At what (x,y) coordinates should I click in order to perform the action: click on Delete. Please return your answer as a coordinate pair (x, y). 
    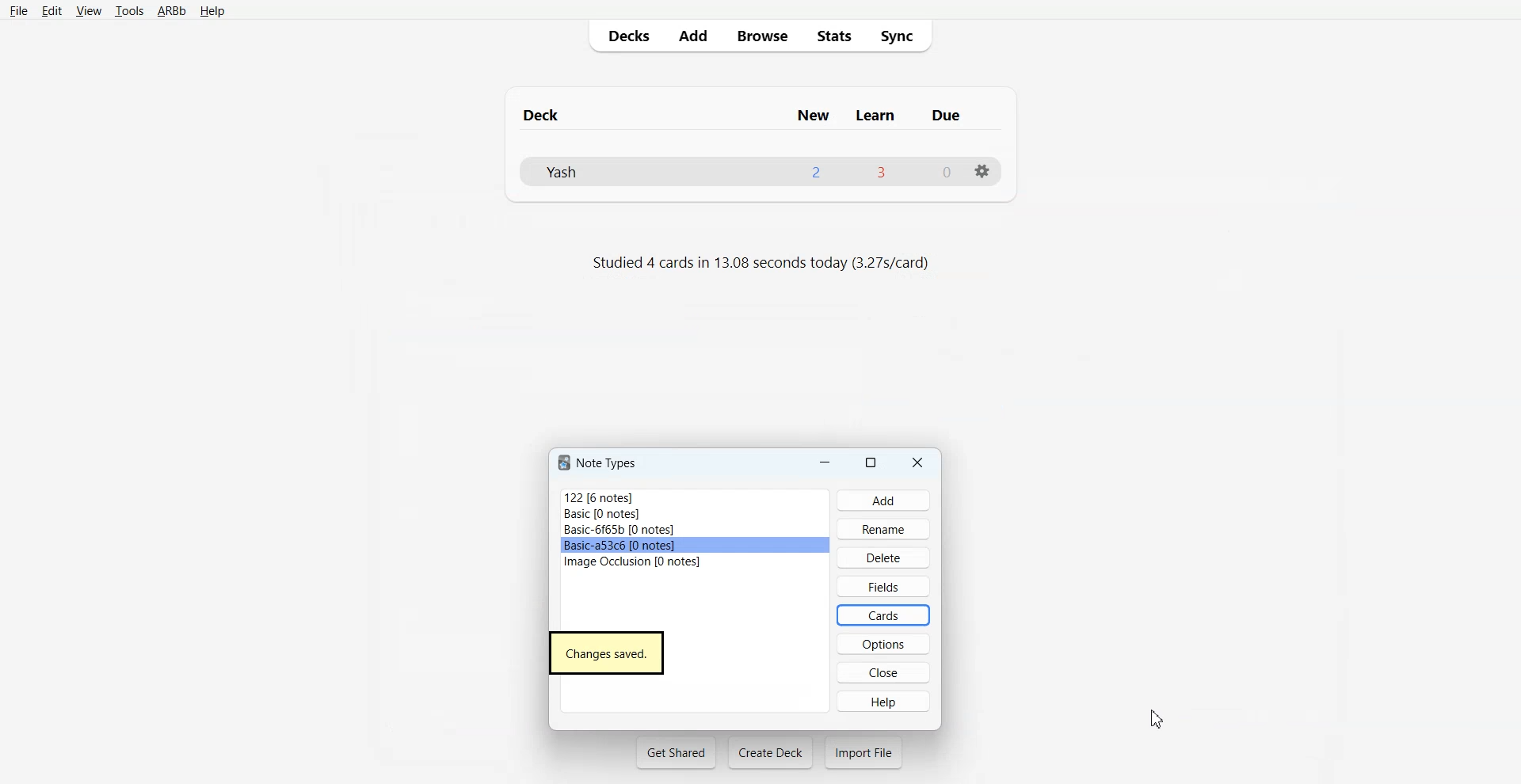
    Looking at the image, I should click on (883, 557).